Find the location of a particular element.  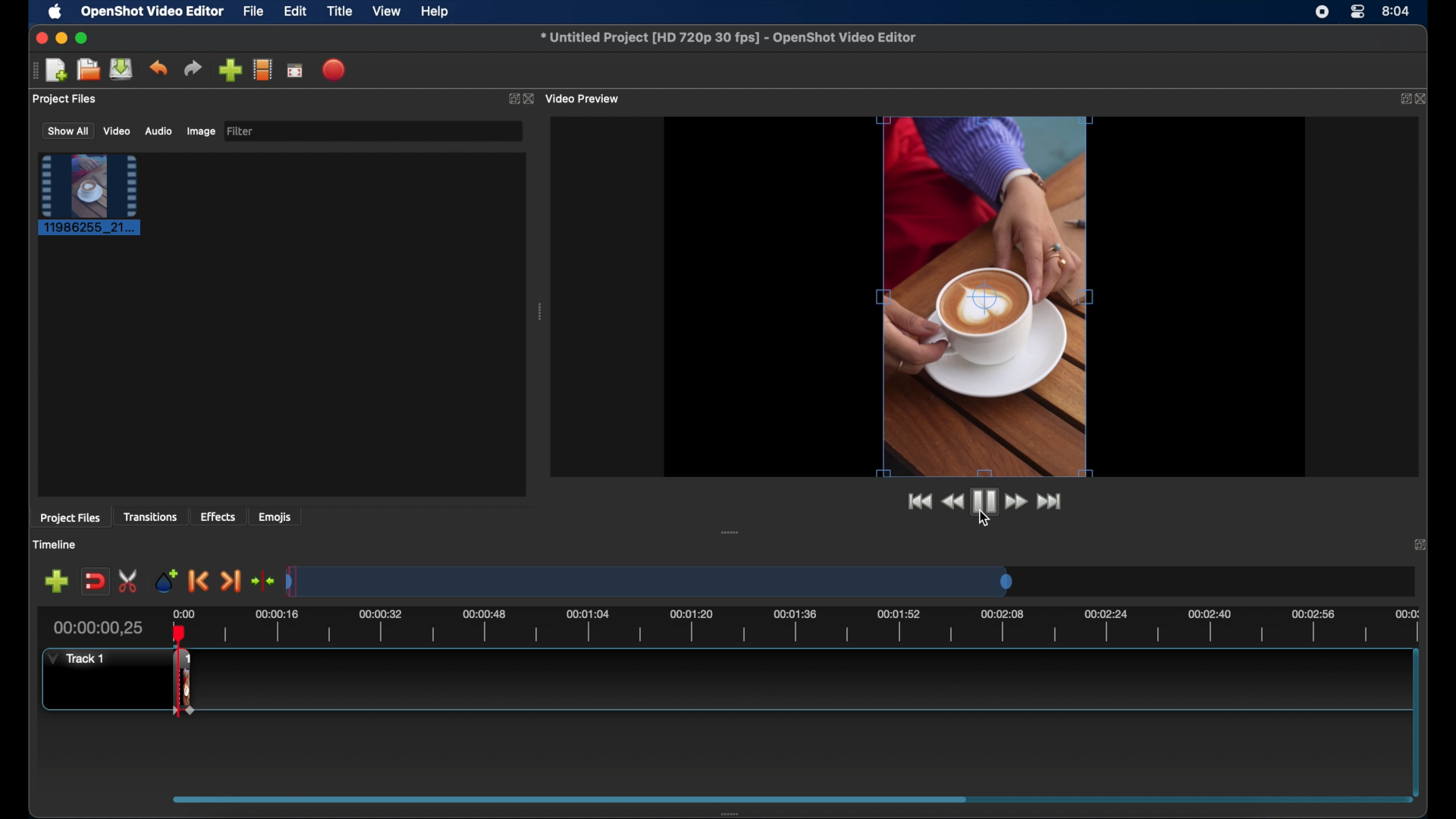

add track is located at coordinates (56, 581).